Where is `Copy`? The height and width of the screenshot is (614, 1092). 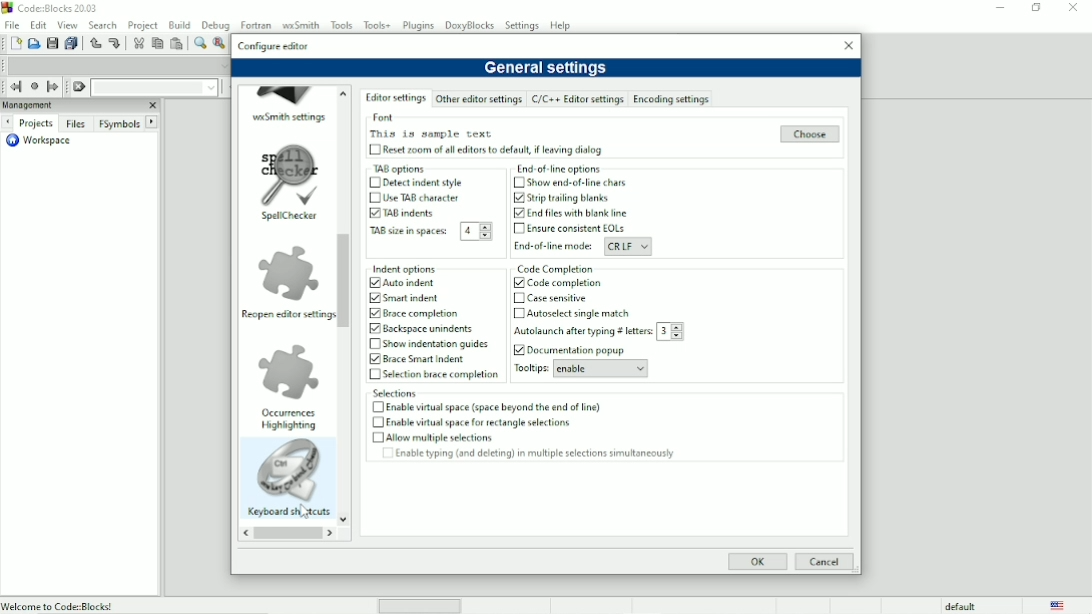 Copy is located at coordinates (156, 43).